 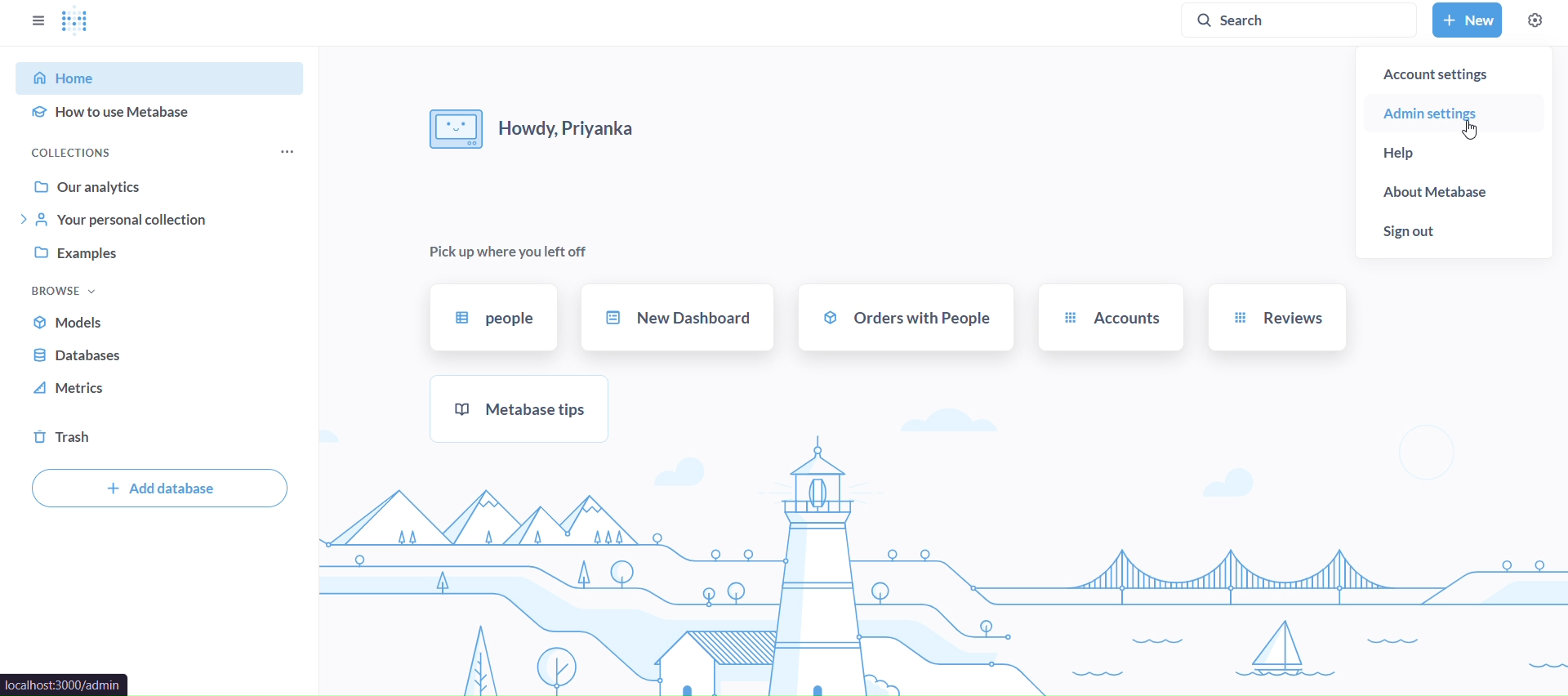 What do you see at coordinates (551, 125) in the screenshot?
I see `howdy, priyanka` at bounding box center [551, 125].